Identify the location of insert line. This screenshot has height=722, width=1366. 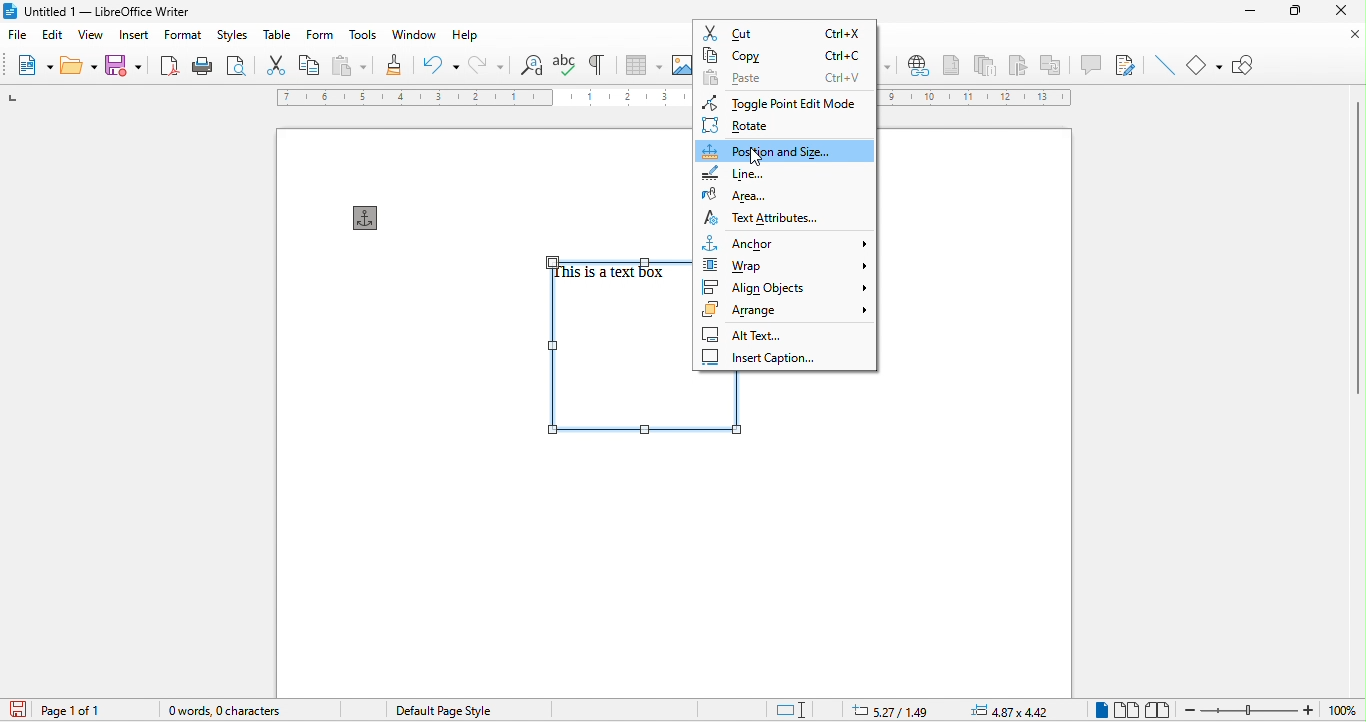
(1162, 66).